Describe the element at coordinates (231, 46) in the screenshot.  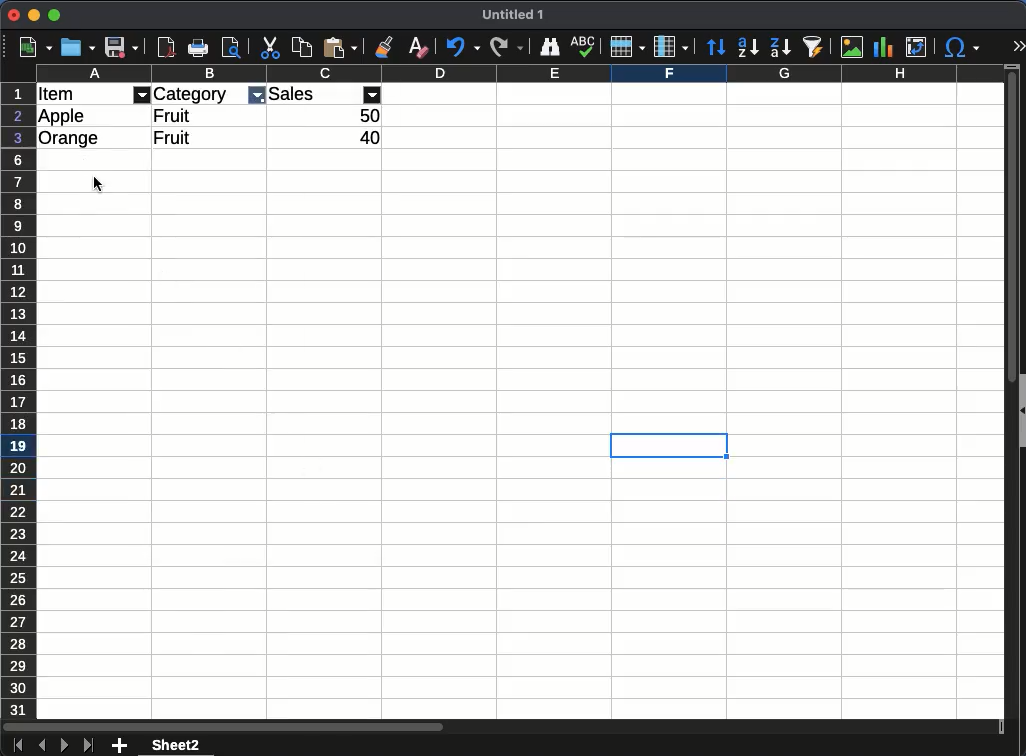
I see `print` at that location.